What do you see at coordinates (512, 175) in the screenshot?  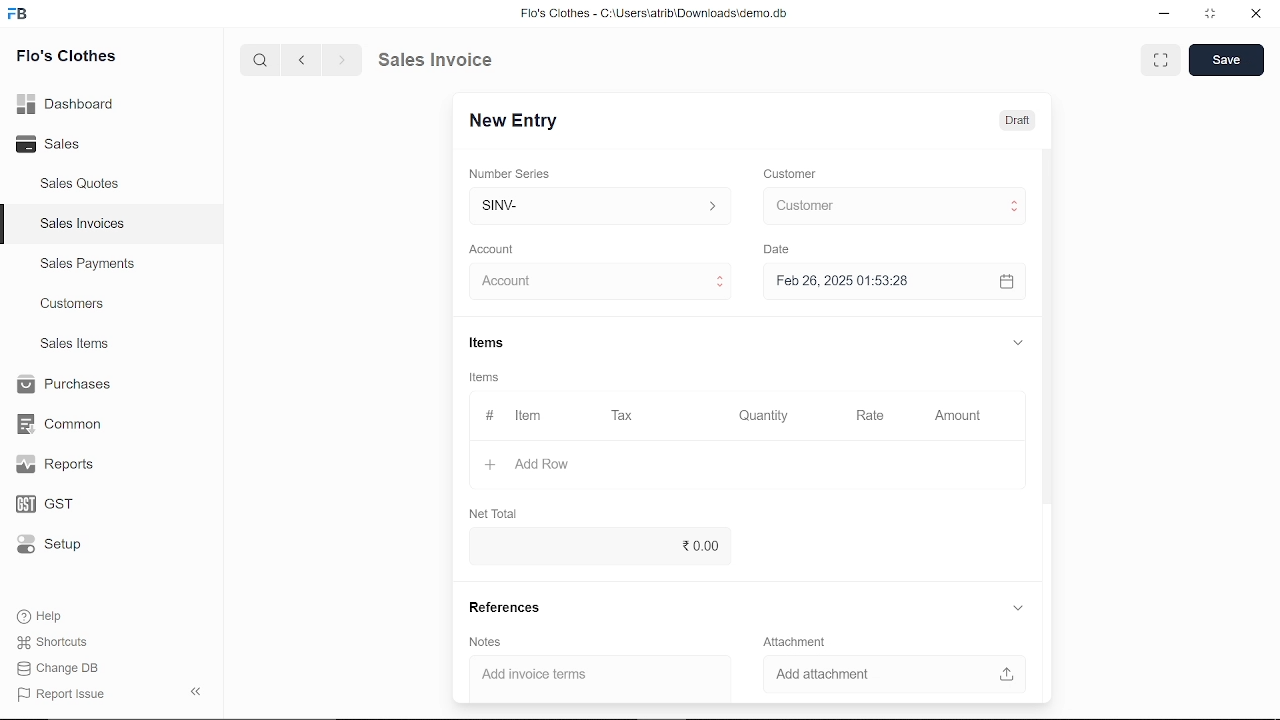 I see `Number Series` at bounding box center [512, 175].